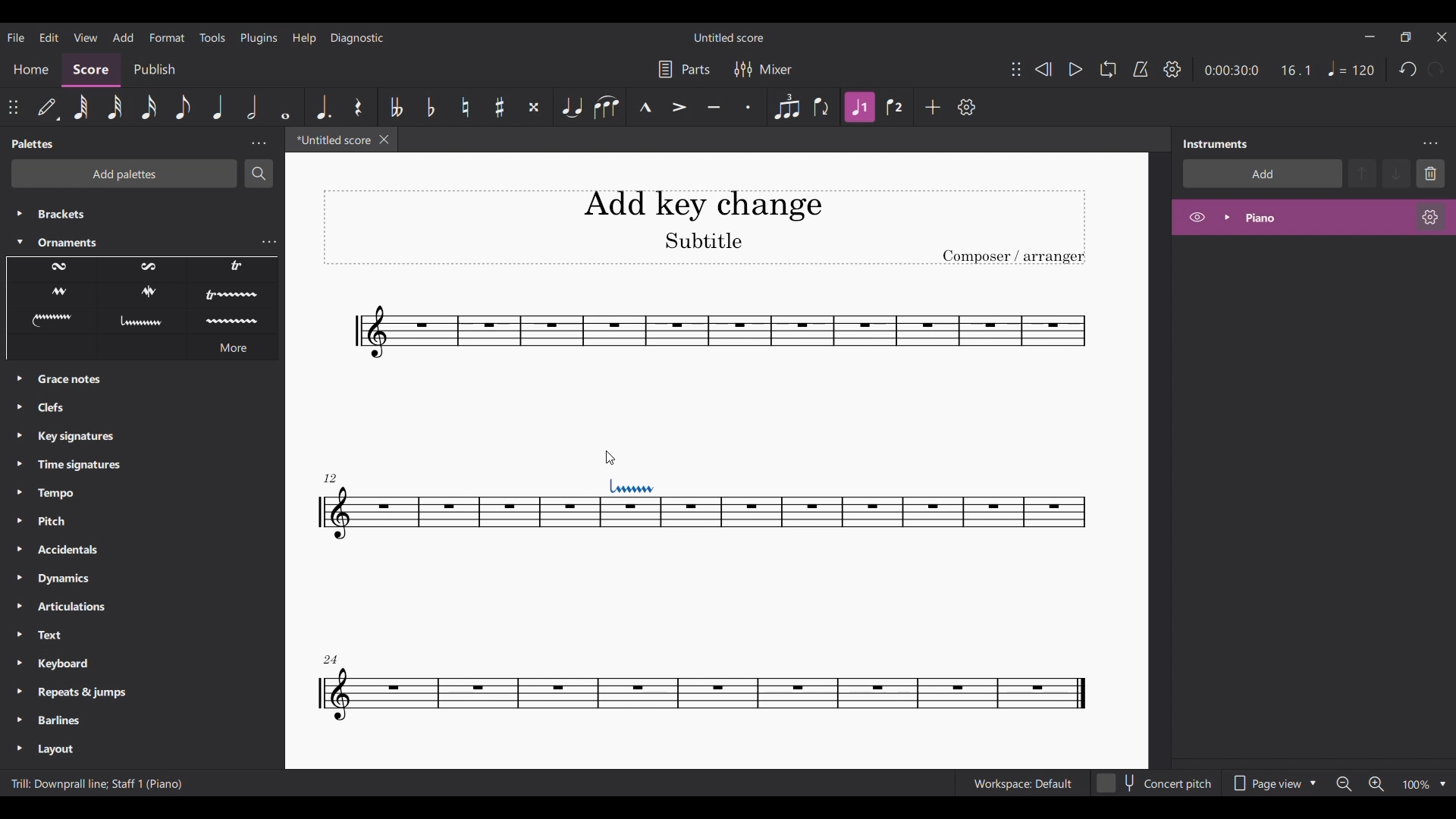  What do you see at coordinates (1227, 217) in the screenshot?
I see `Expand piano` at bounding box center [1227, 217].